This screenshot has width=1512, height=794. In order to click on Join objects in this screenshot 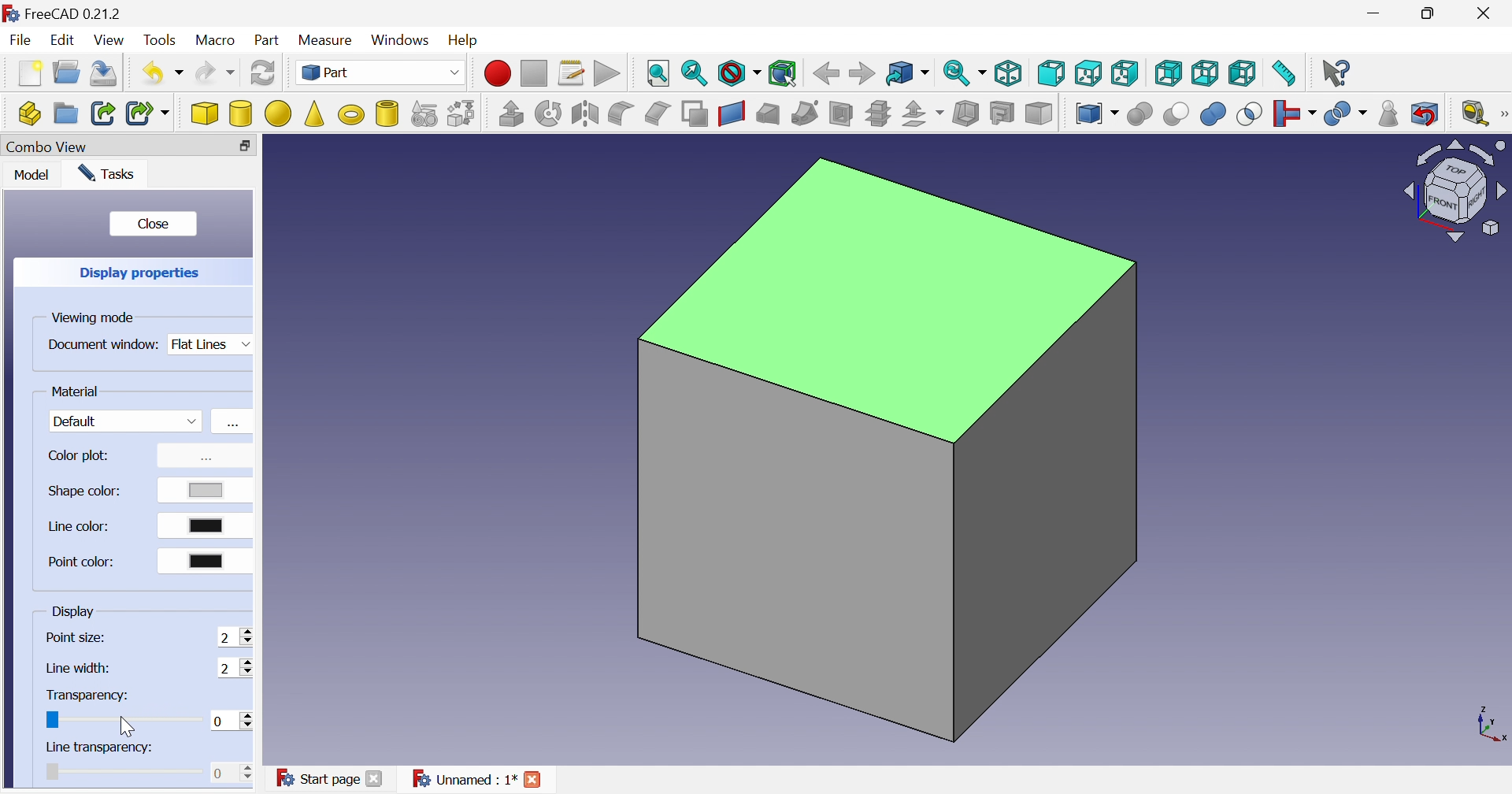, I will do `click(1297, 113)`.